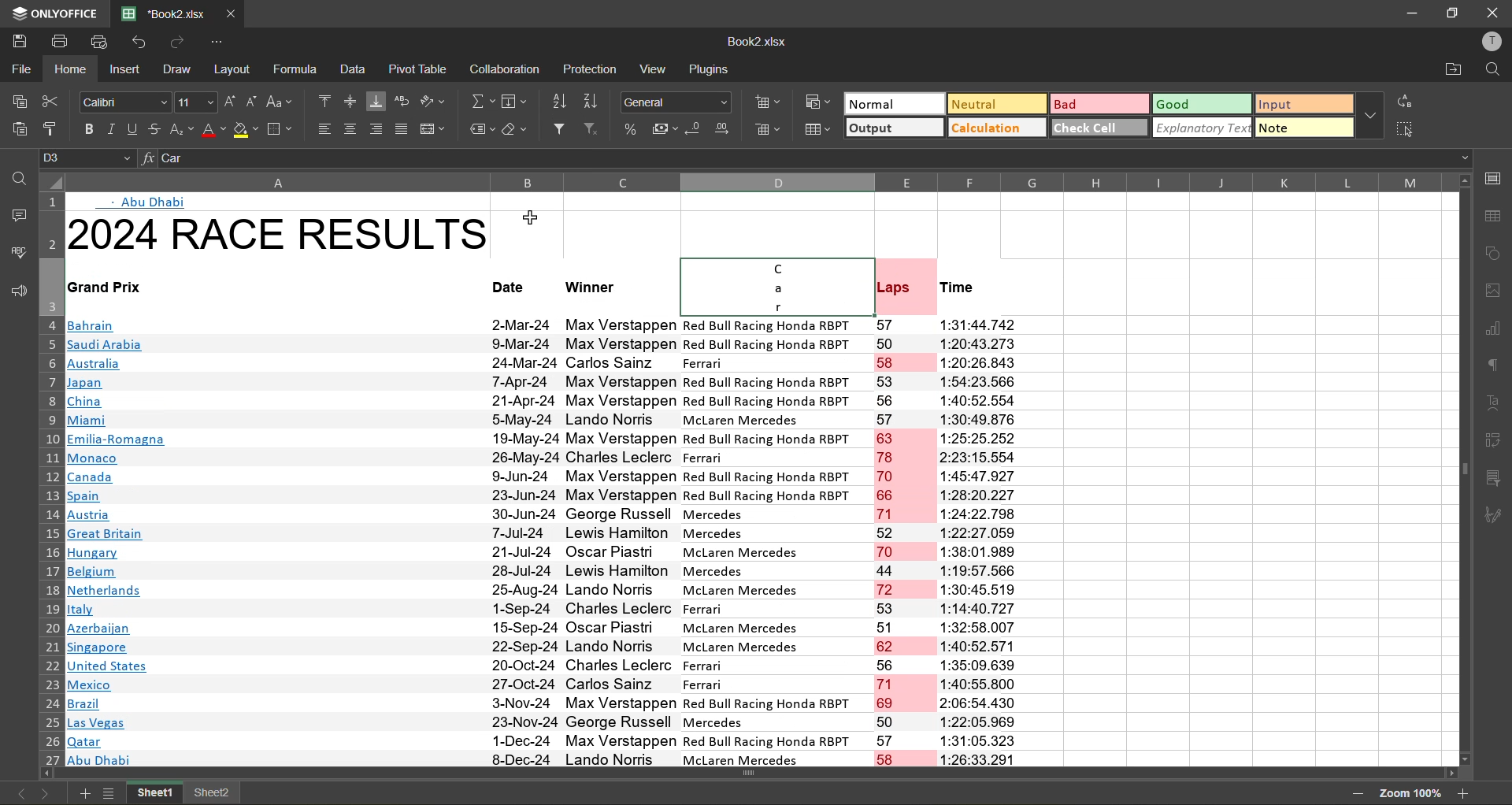 Image resolution: width=1512 pixels, height=805 pixels. I want to click on copy, so click(18, 102).